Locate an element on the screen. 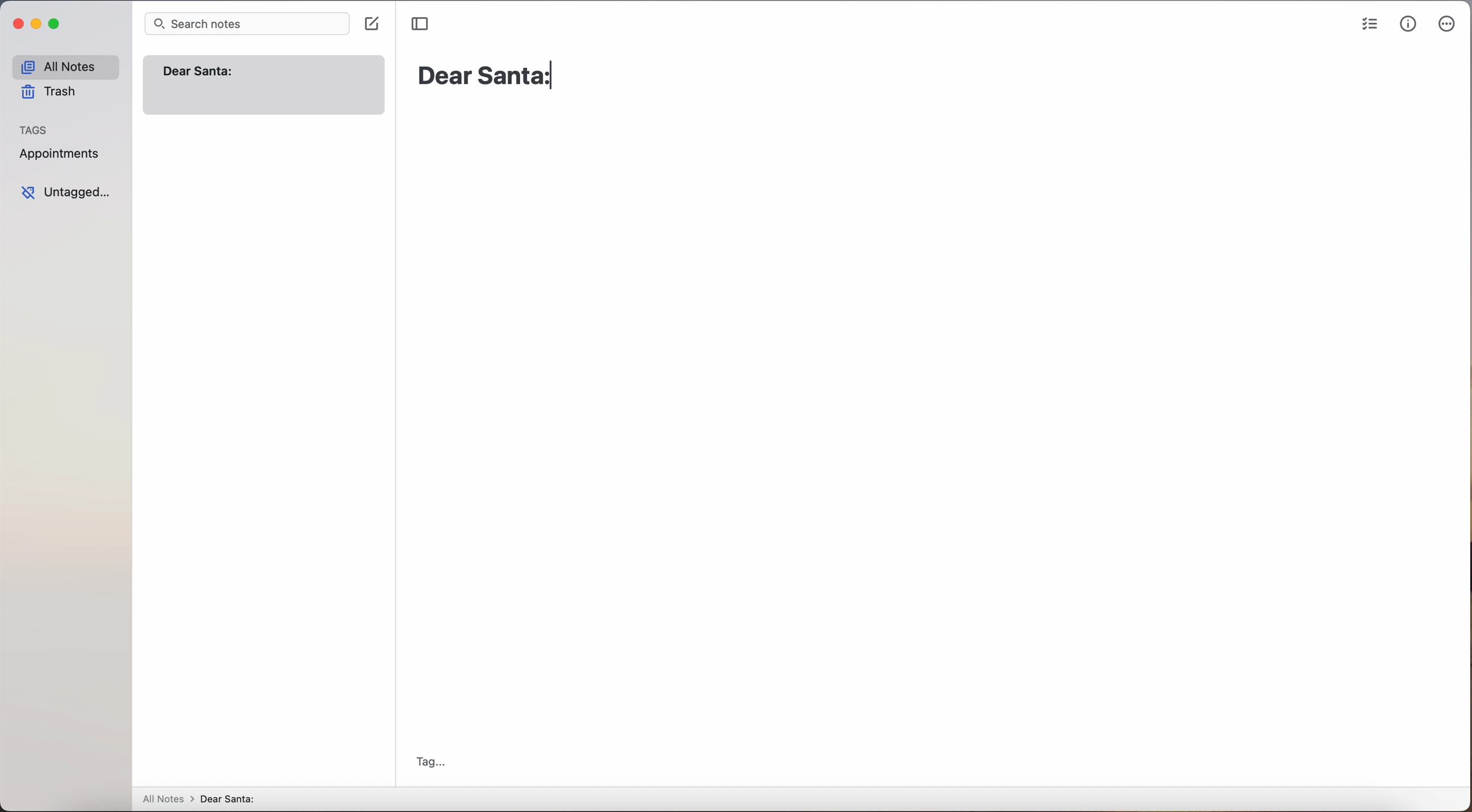 The width and height of the screenshot is (1472, 812). all notes is located at coordinates (67, 65).